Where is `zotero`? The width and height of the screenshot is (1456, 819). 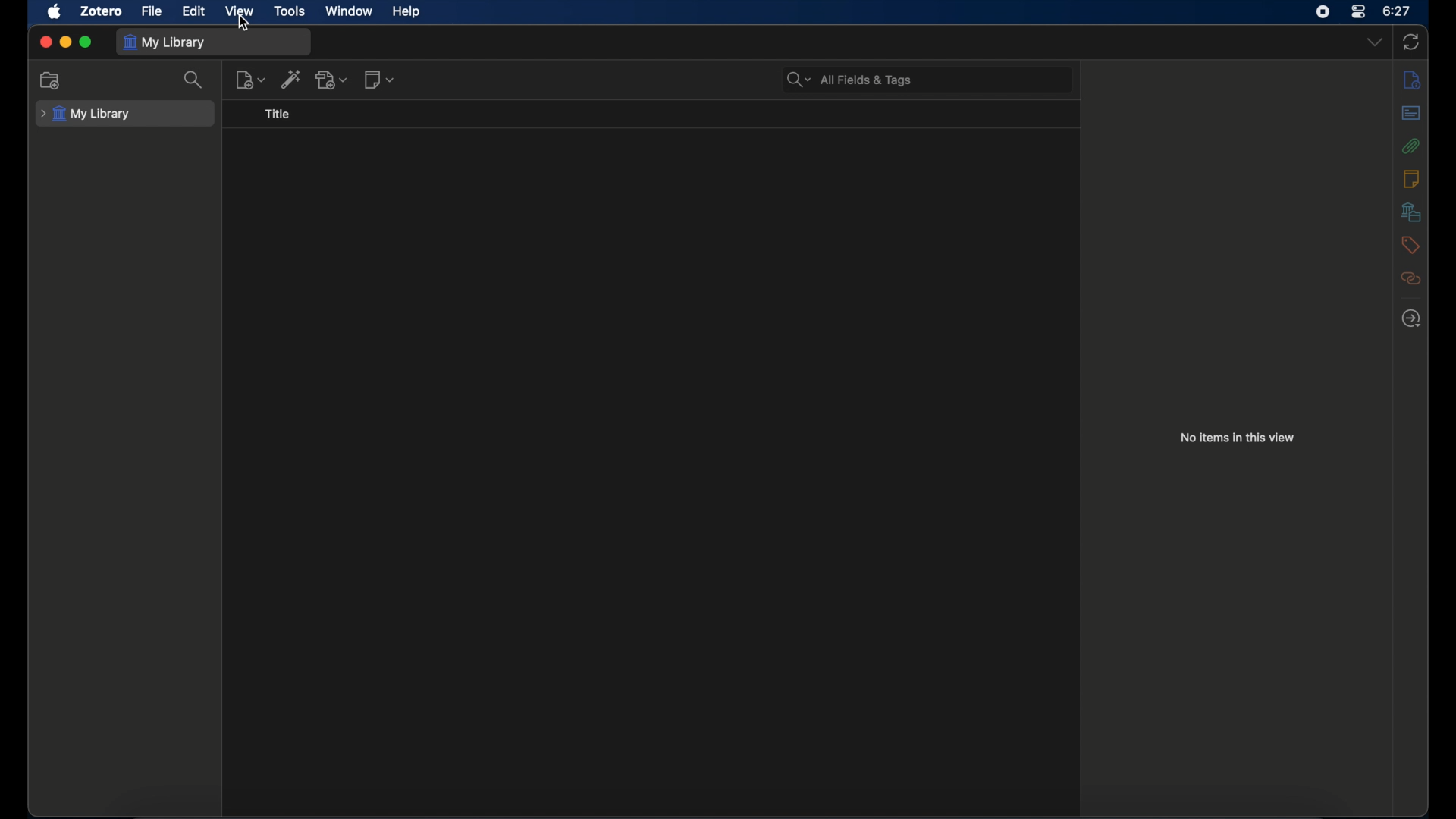 zotero is located at coordinates (102, 11).